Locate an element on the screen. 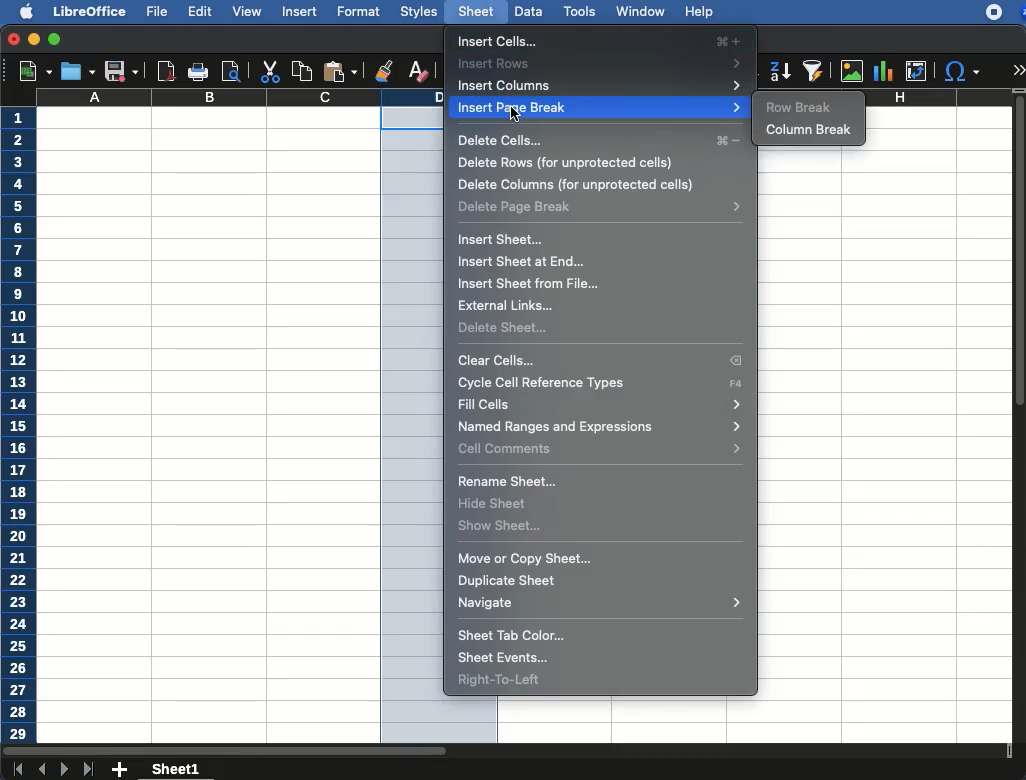  delete page break is located at coordinates (601, 207).